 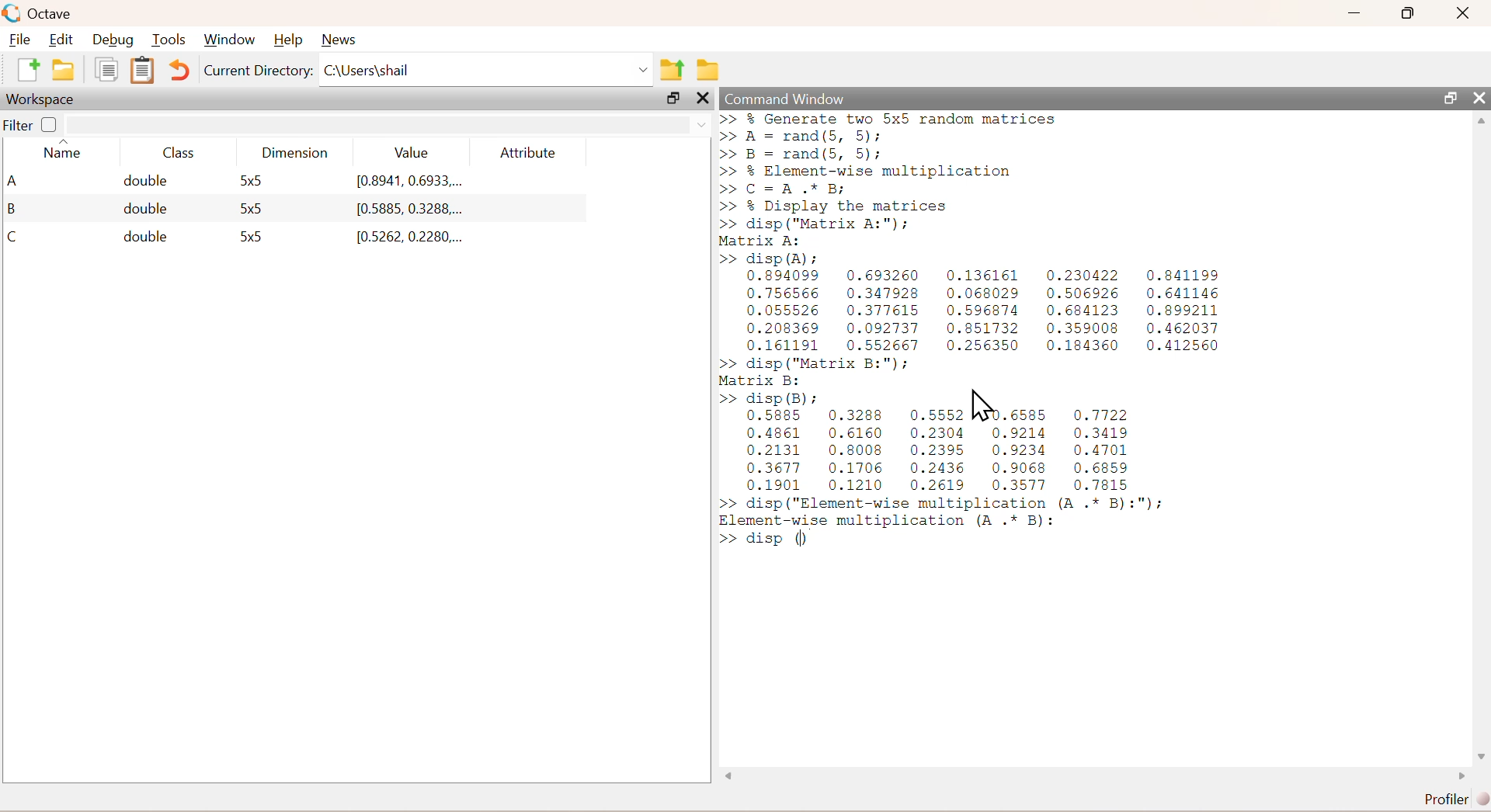 I want to click on File, so click(x=22, y=38).